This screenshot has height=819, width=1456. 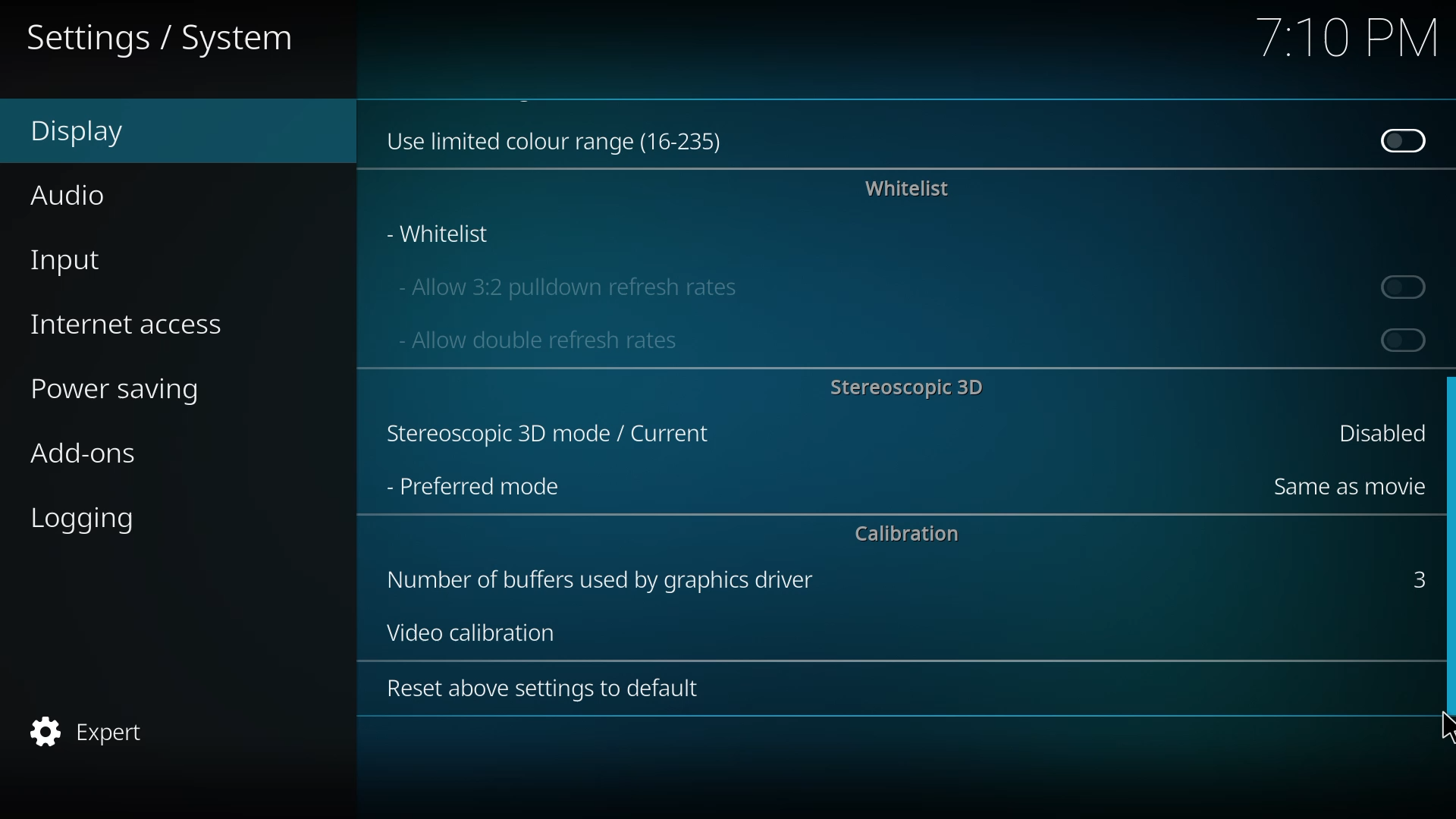 I want to click on enable, so click(x=1400, y=339).